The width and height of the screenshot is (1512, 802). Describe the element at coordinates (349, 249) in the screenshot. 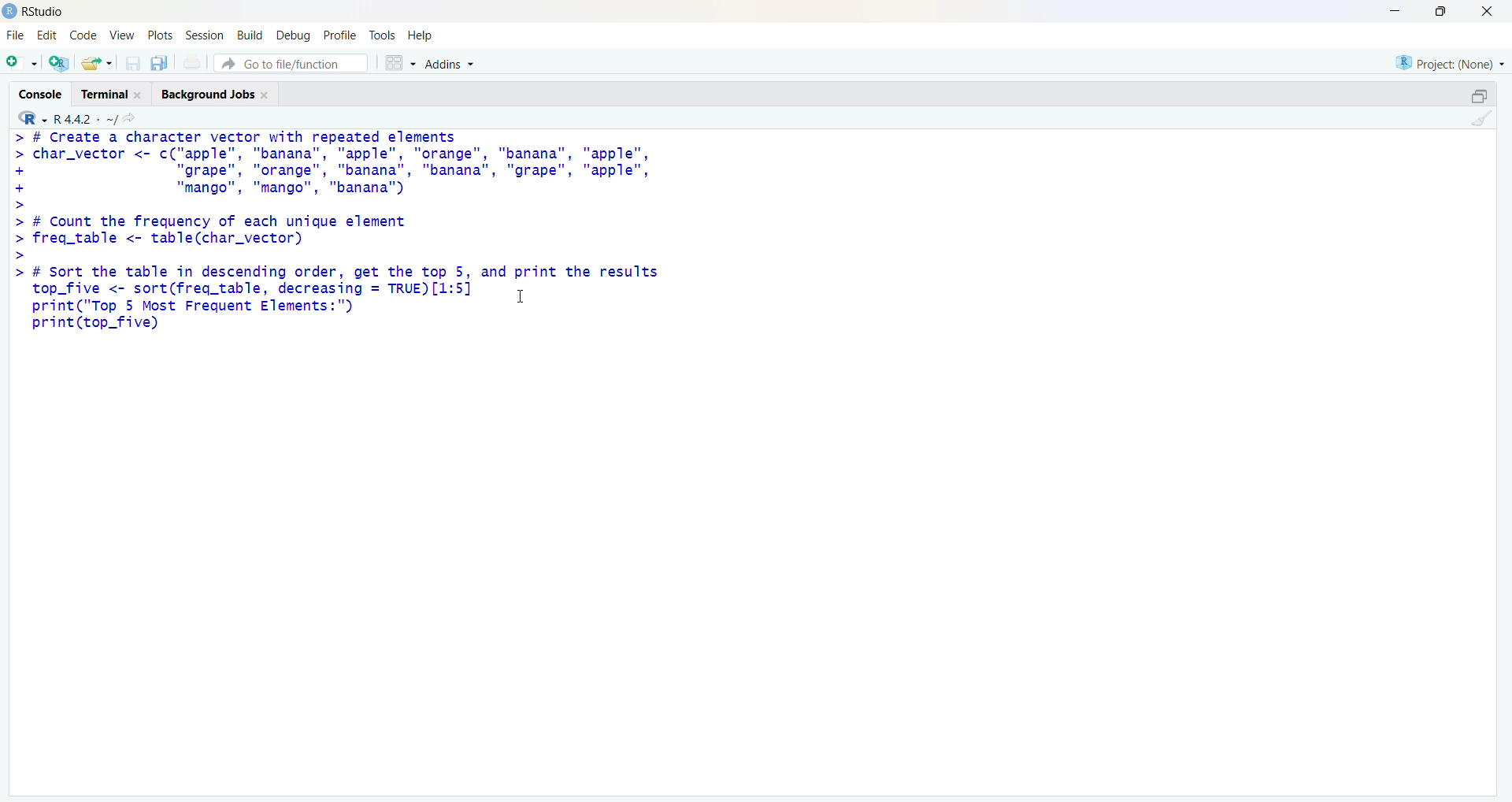

I see `> # Create a character vector with repeated elements
> char_vector <- c("apple", "banana", "apple", "orange", "banana", "apple",
+ "grape", "orange", "banana", "banana", "grape", "apple",
+ "mango", "mango", "banana")
>
> # Count the frequency of each unique element
> freq_table <- table(char_vector)
>
> # Sort the table in descending order, get the top 5, and print the results
top_five <- sort(freq_table, decreasing = TRUE)[1:5] T
print("Top 5 Most Frequent Elements:")
print (top_five)` at that location.